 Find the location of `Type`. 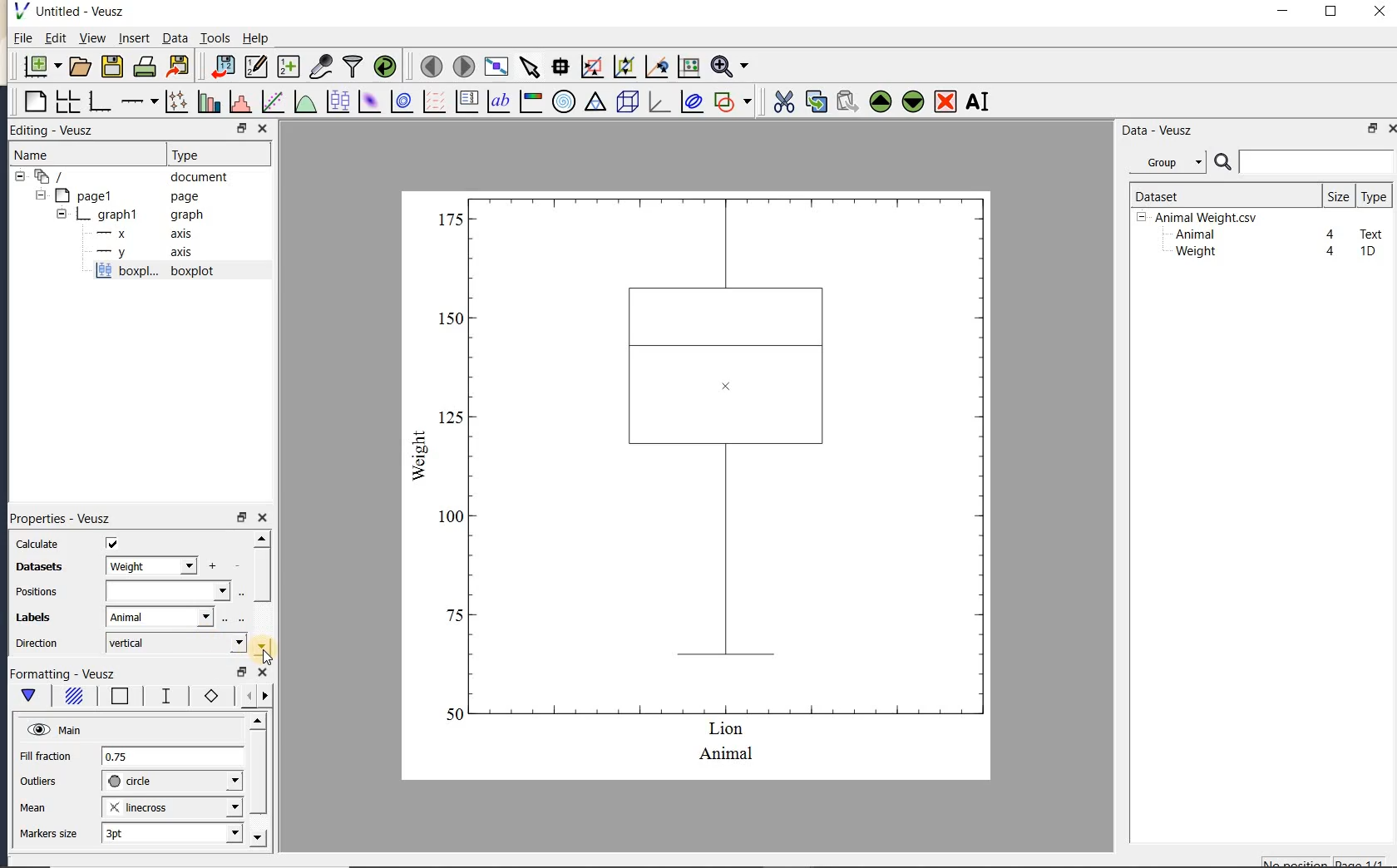

Type is located at coordinates (215, 153).